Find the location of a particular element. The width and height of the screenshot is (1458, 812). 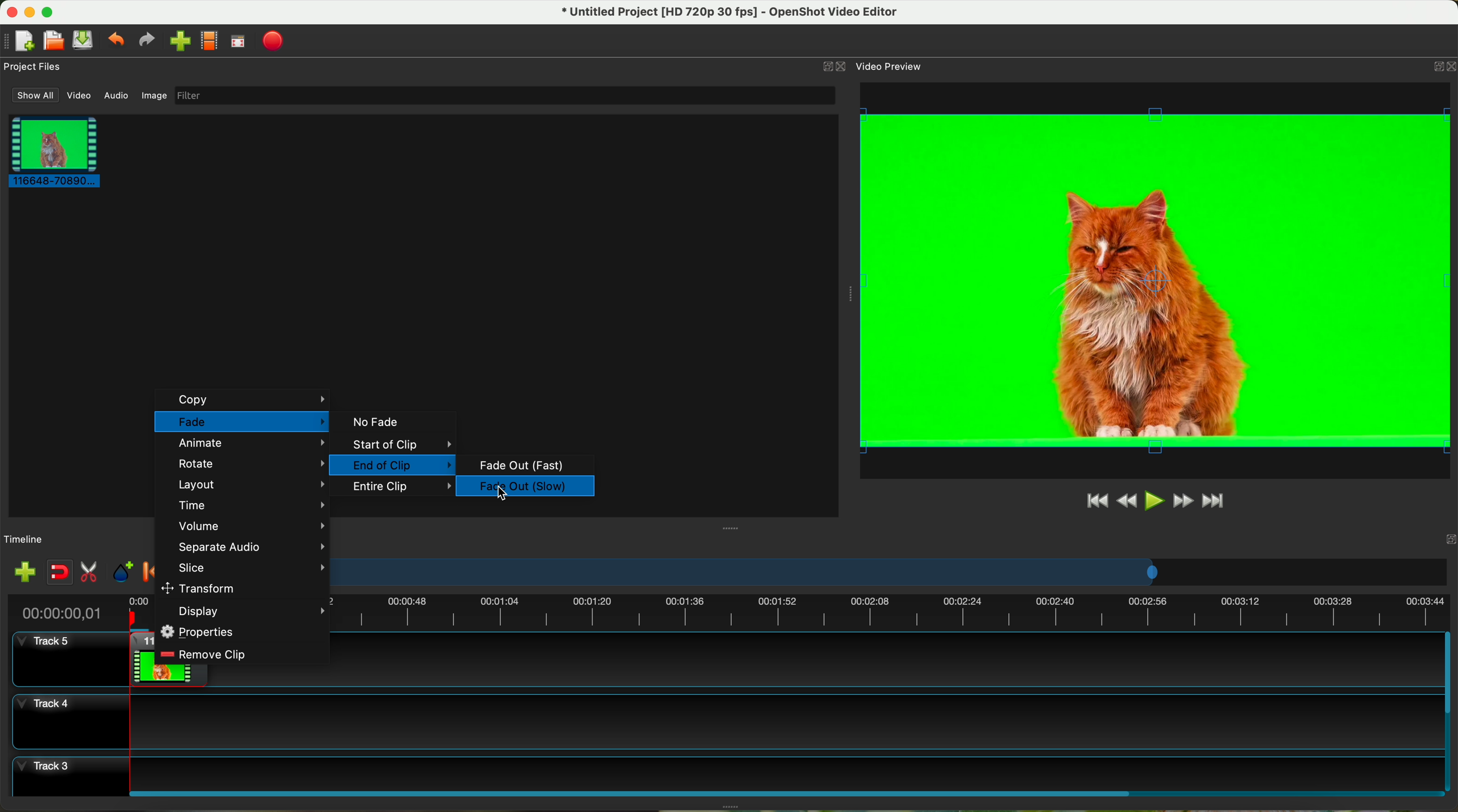

jump to start is located at coordinates (1096, 500).